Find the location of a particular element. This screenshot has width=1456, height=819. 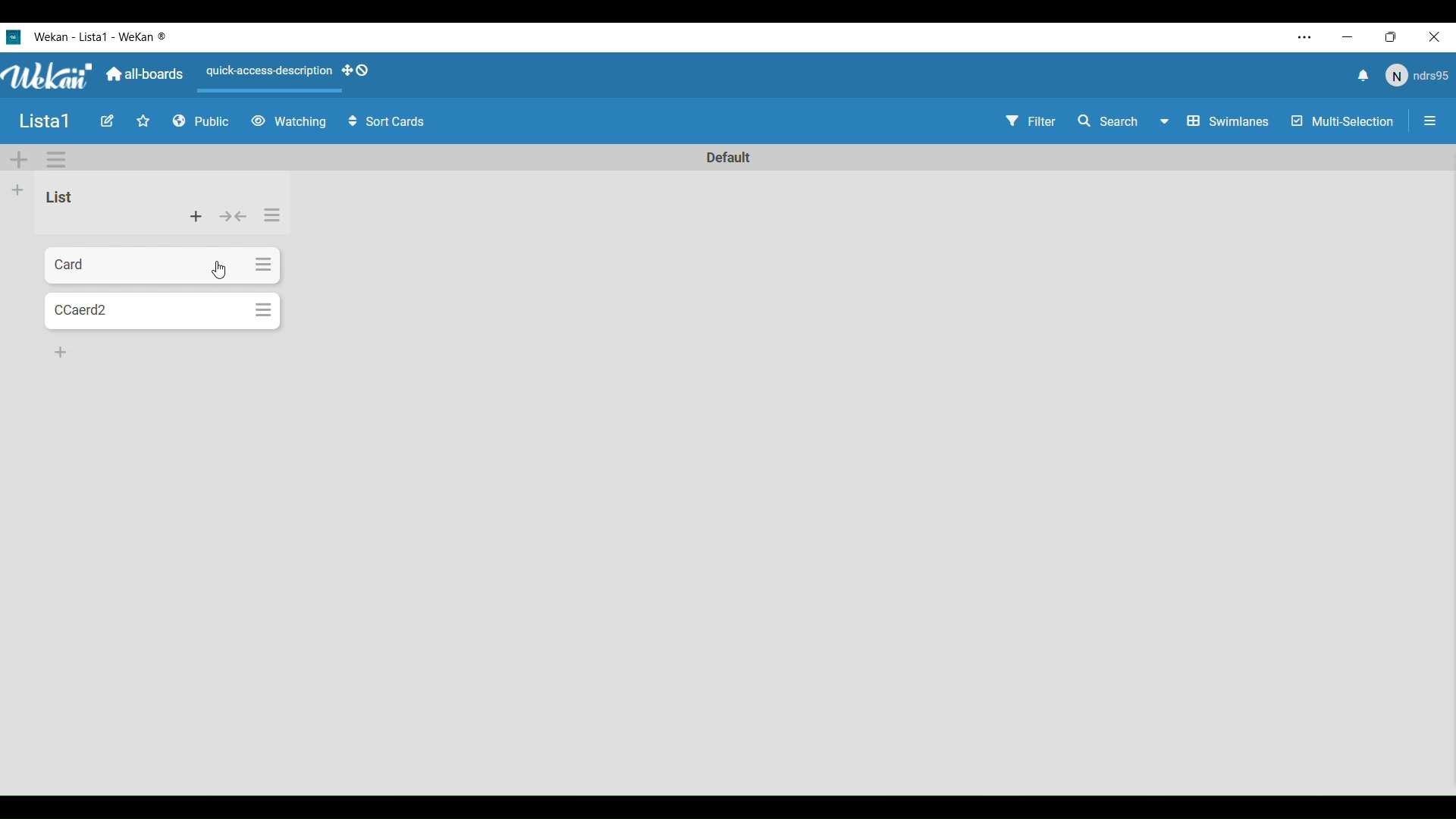

All Boards is located at coordinates (146, 74).